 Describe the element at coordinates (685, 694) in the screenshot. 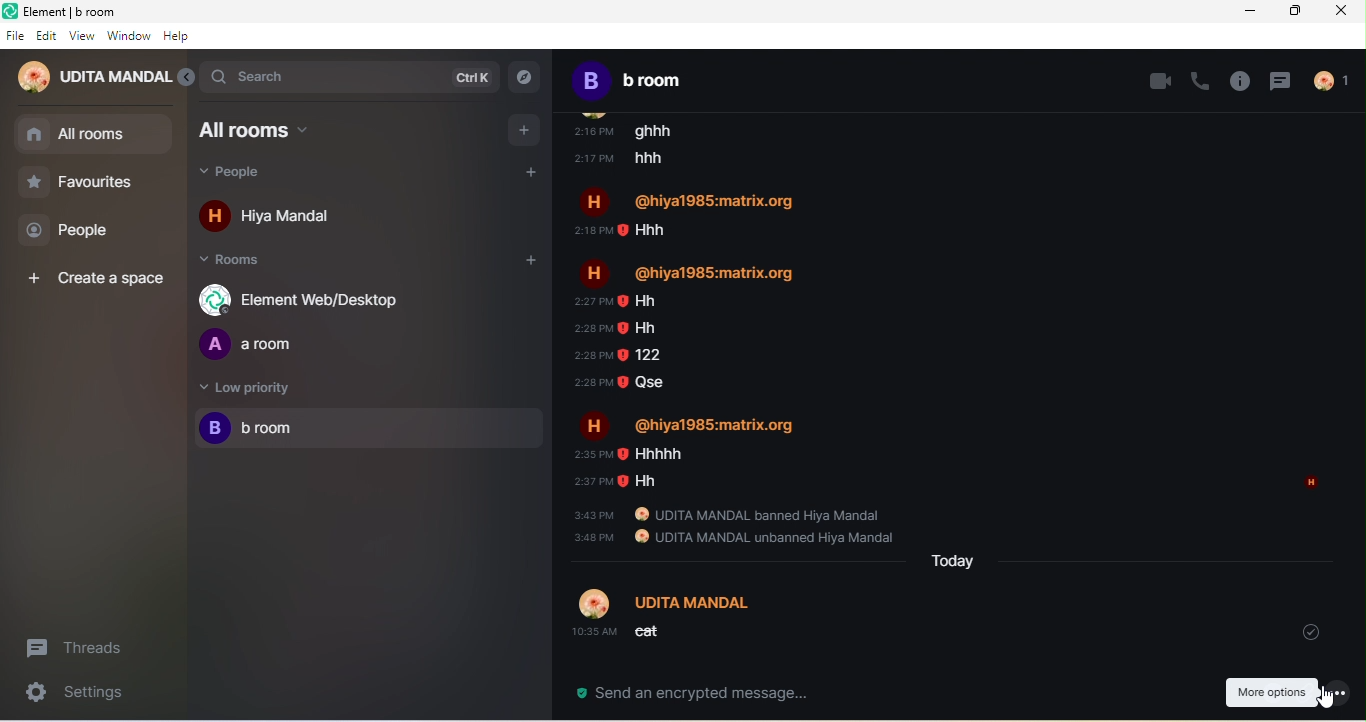

I see `send a encrypted message` at that location.